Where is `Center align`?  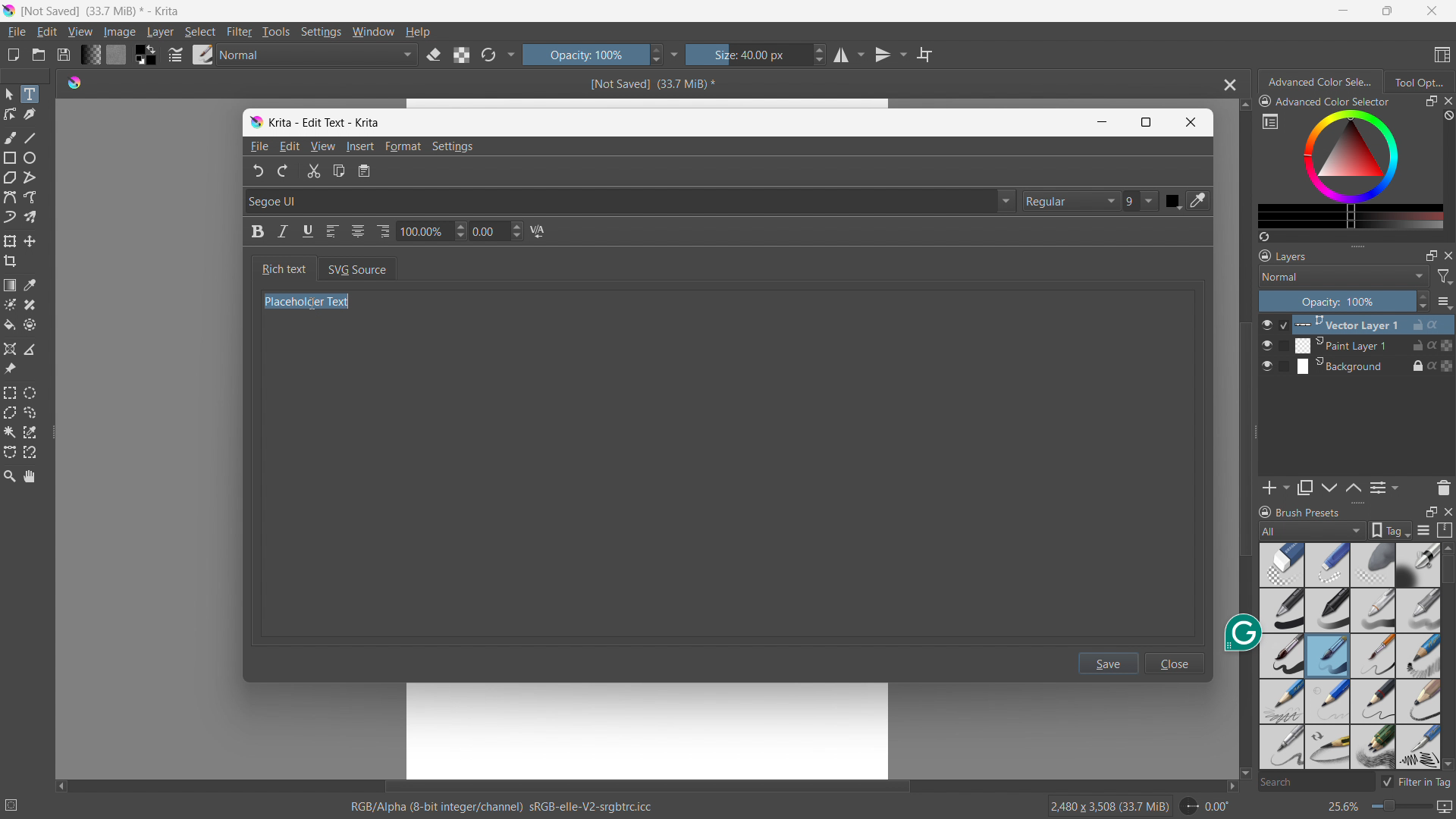
Center align is located at coordinates (359, 230).